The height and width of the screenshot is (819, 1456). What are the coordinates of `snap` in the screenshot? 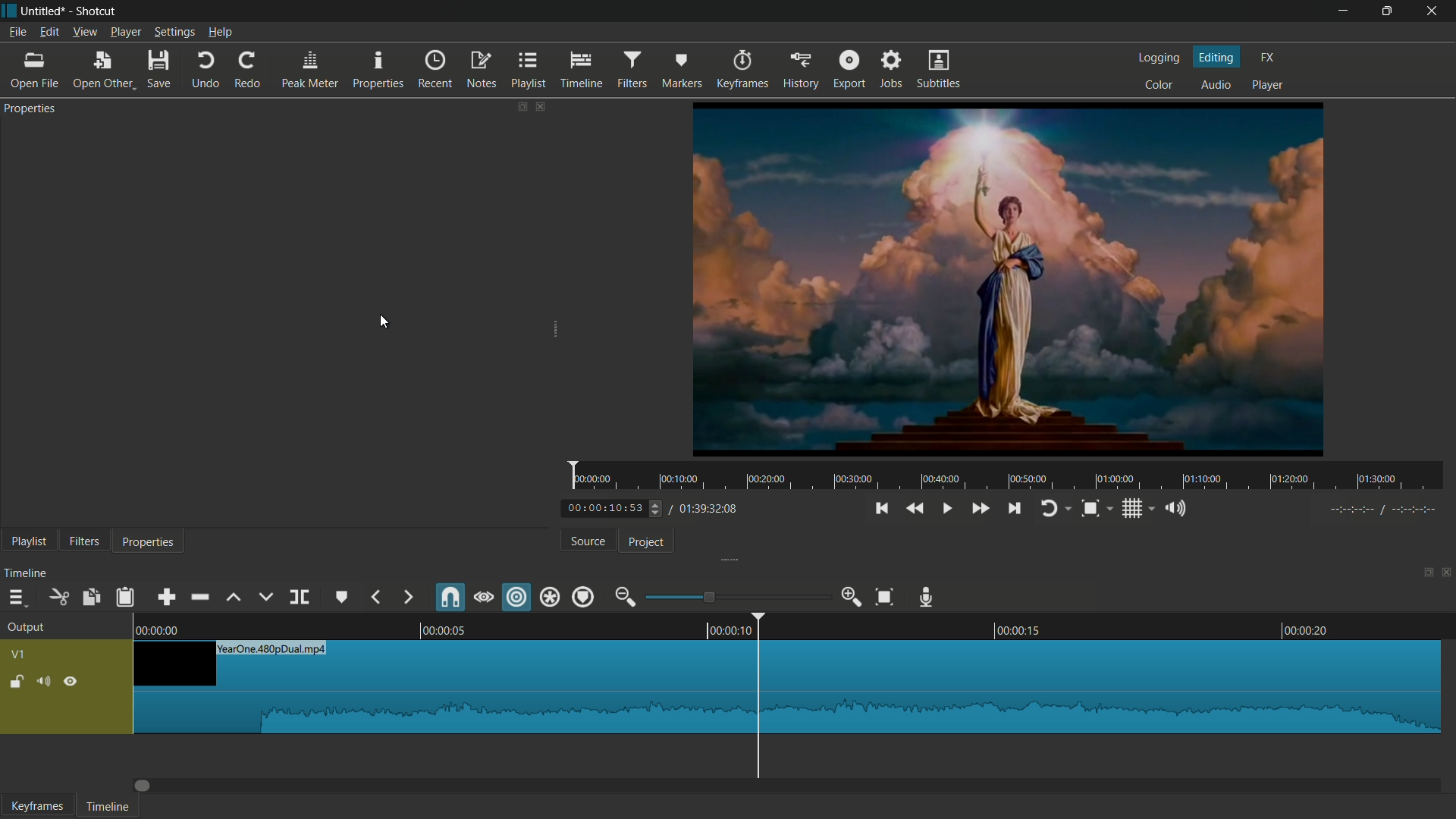 It's located at (450, 598).